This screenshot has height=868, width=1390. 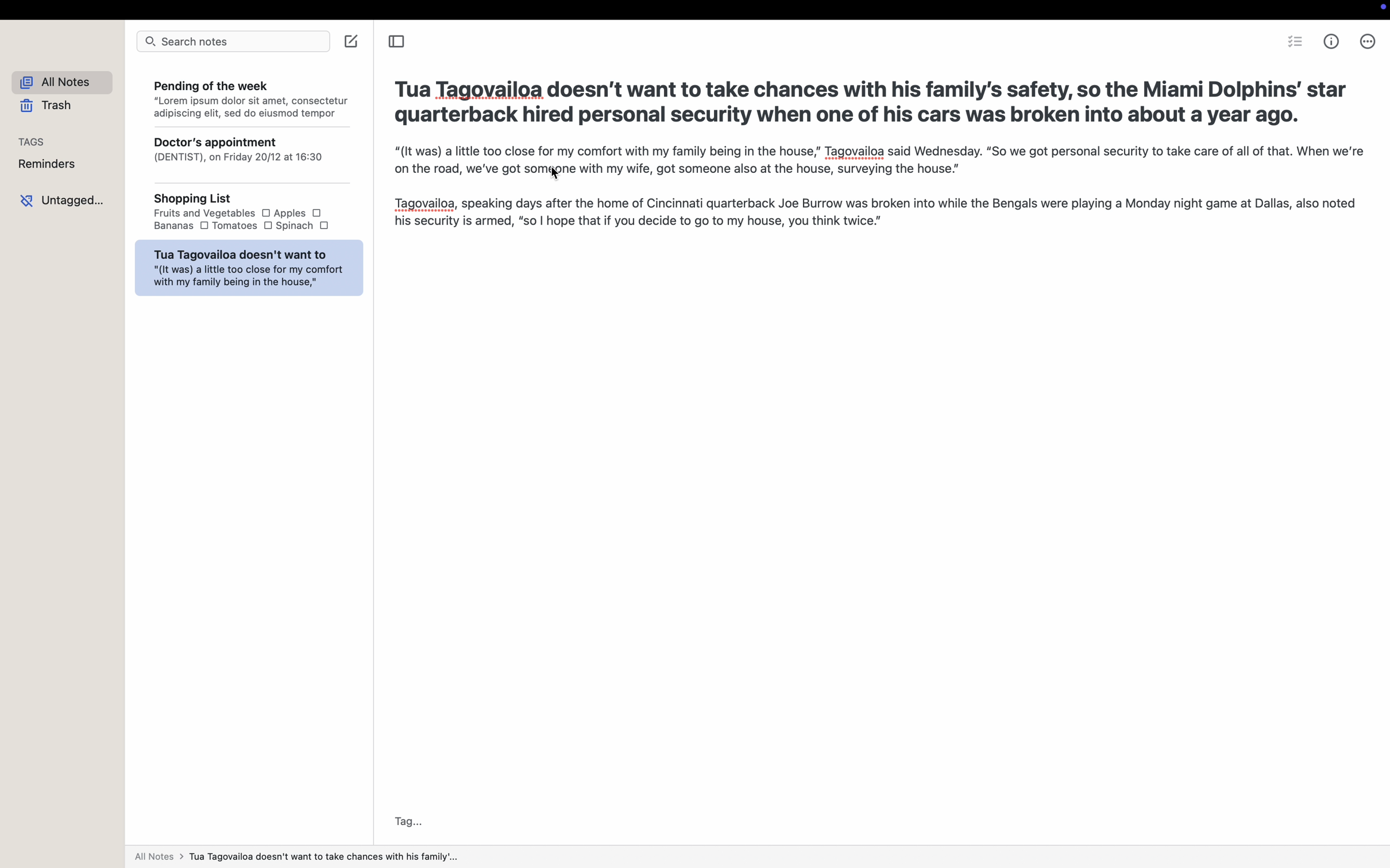 What do you see at coordinates (298, 853) in the screenshot?
I see `All Notes > Tua Tagovailoa doesn't want to take chances with his family"...` at bounding box center [298, 853].